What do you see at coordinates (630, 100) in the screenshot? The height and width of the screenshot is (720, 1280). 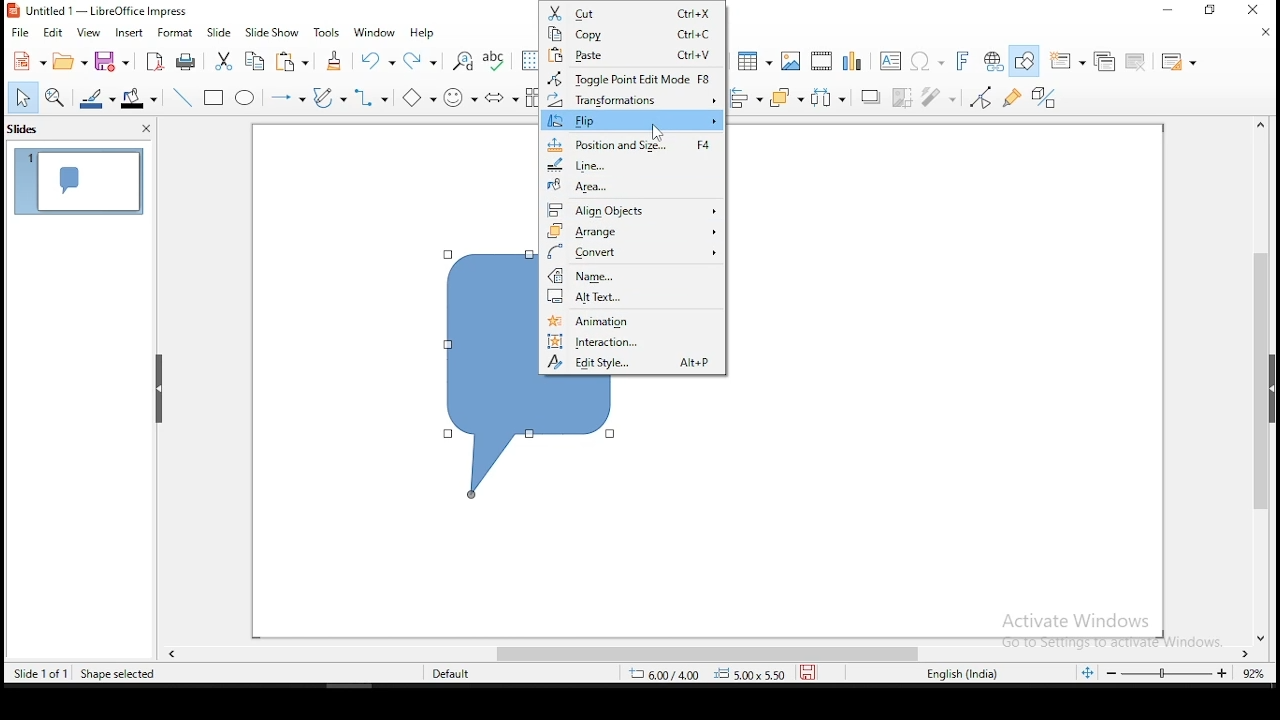 I see `transformation` at bounding box center [630, 100].